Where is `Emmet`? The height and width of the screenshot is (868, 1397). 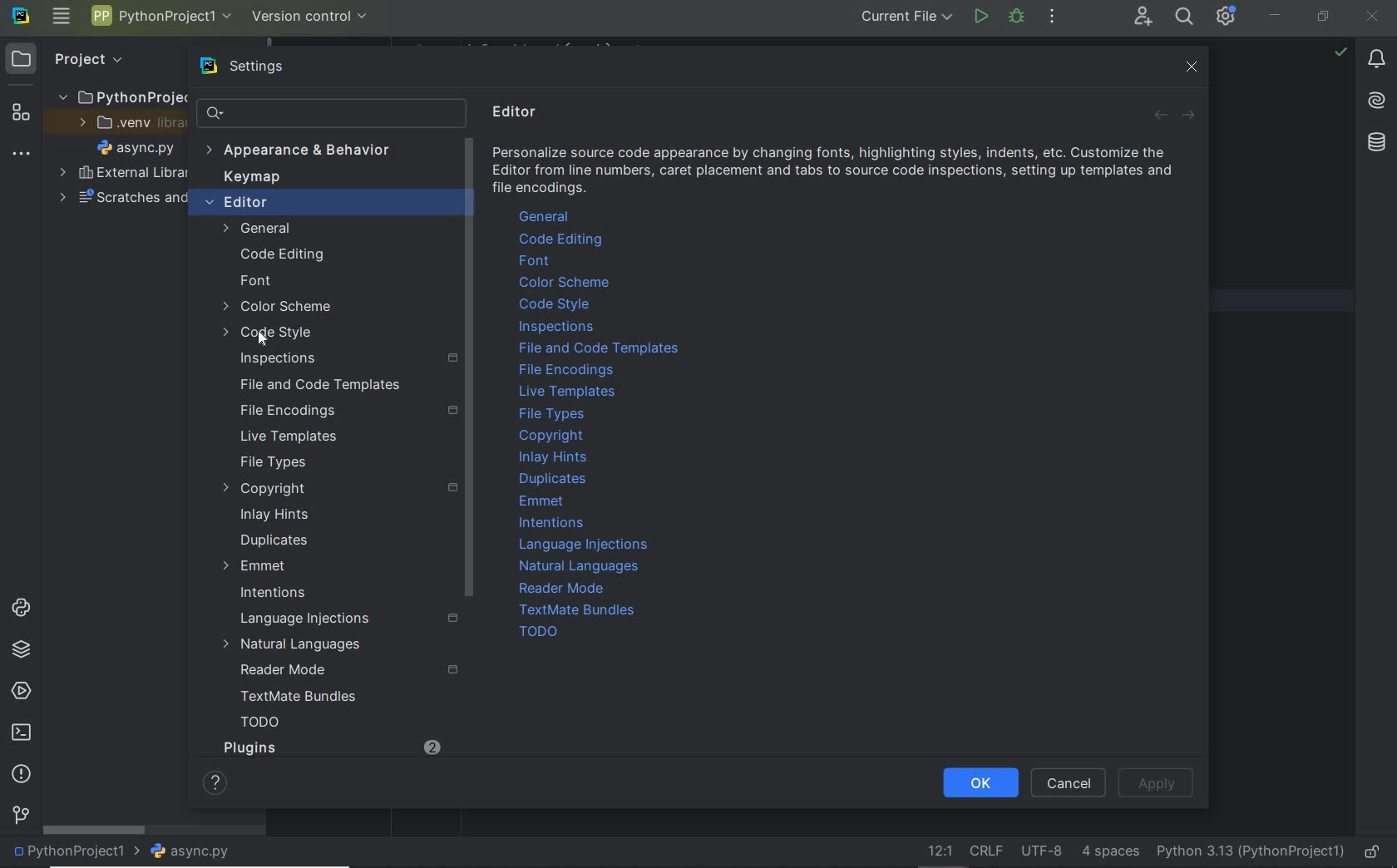 Emmet is located at coordinates (545, 503).